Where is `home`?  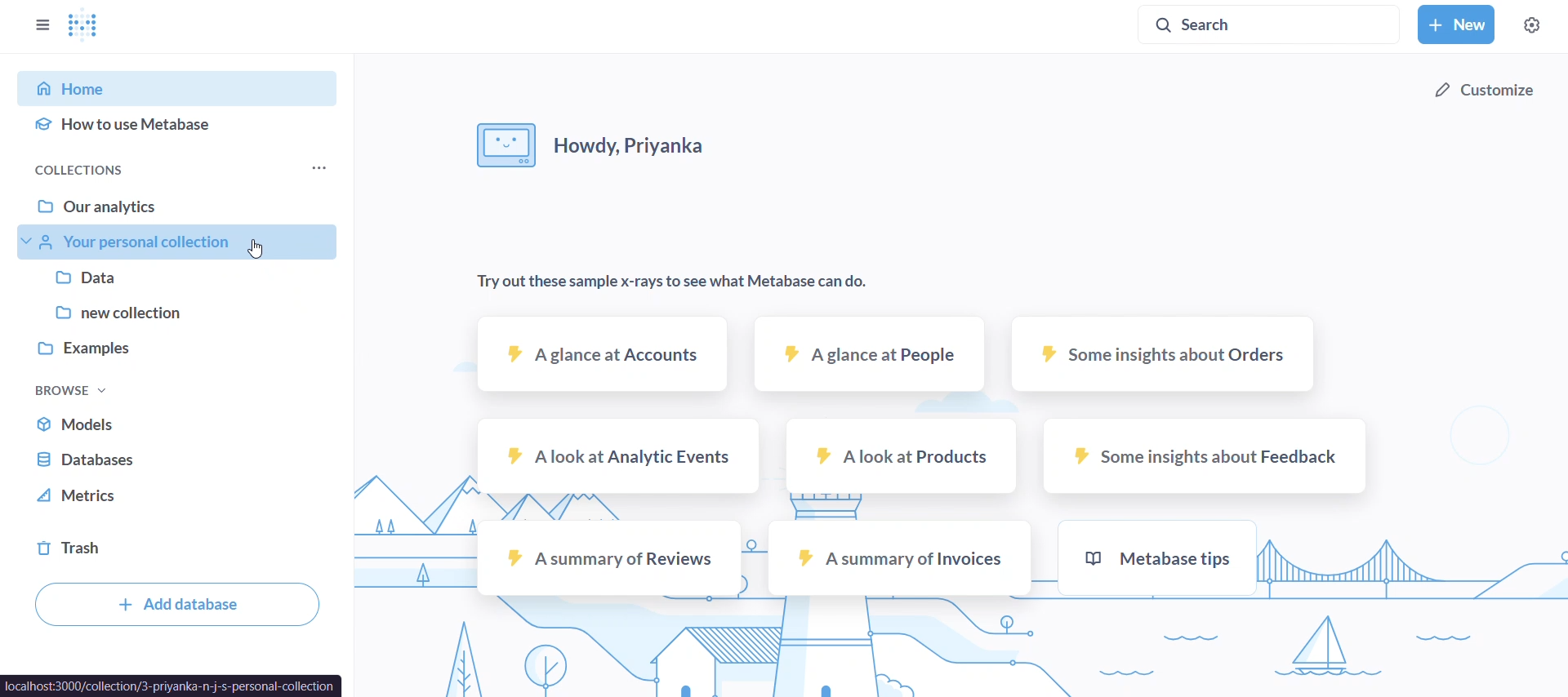 home is located at coordinates (178, 89).